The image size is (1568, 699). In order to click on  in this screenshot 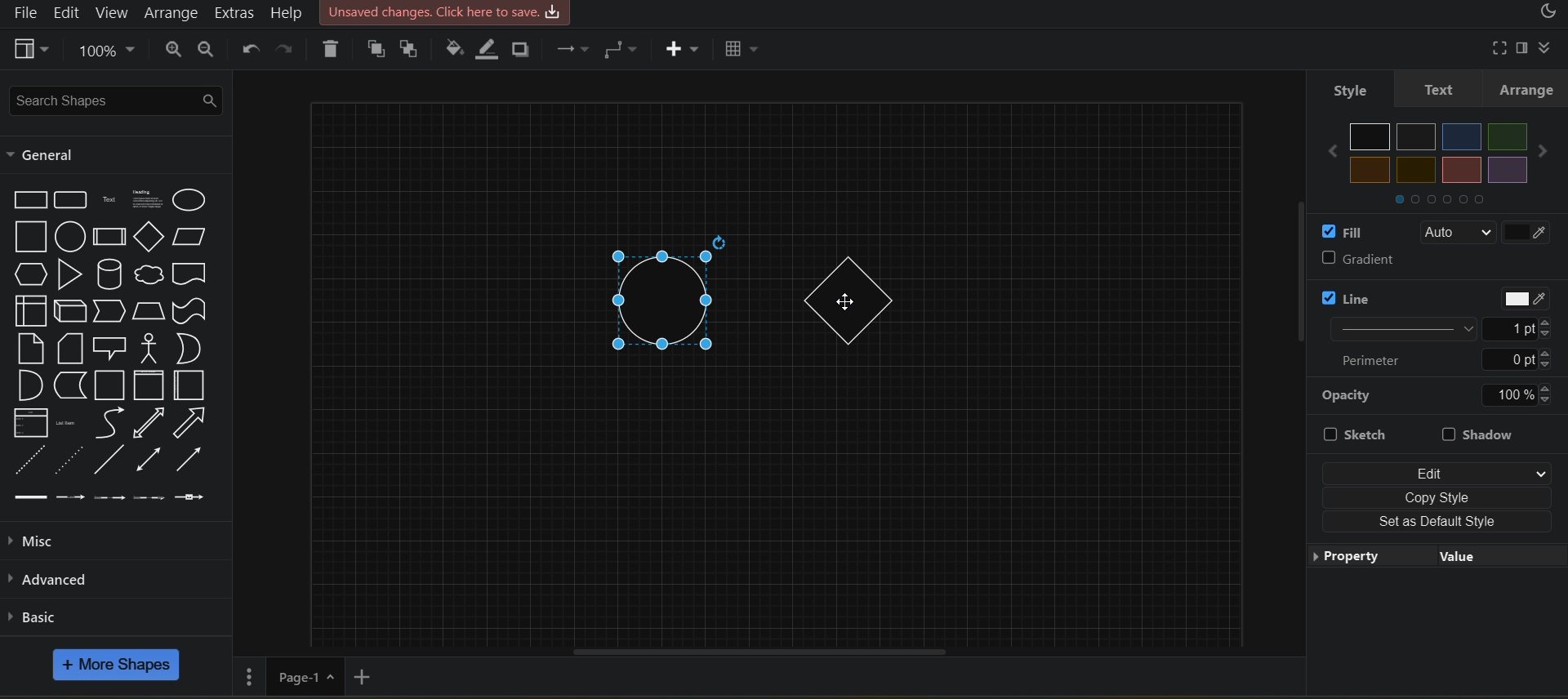, I will do `click(1509, 136)`.